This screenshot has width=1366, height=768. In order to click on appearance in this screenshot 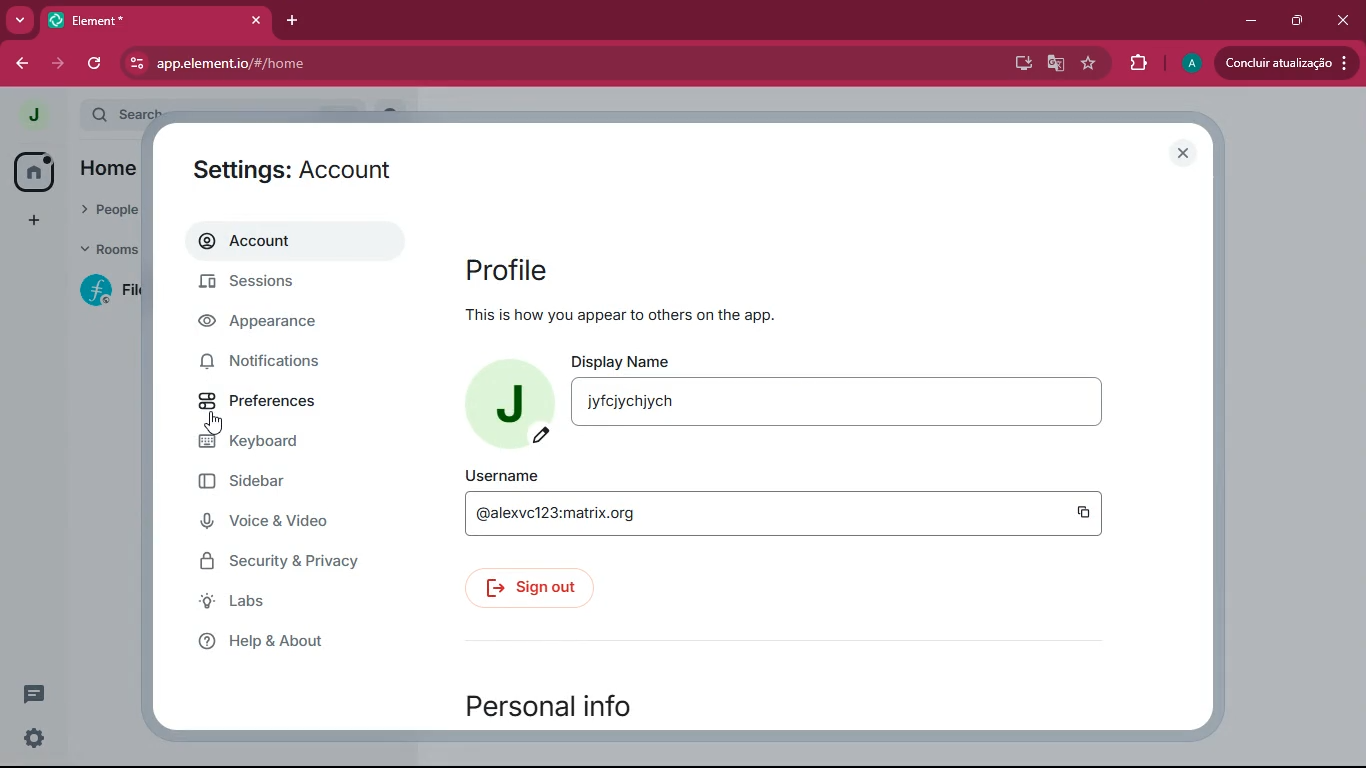, I will do `click(277, 324)`.